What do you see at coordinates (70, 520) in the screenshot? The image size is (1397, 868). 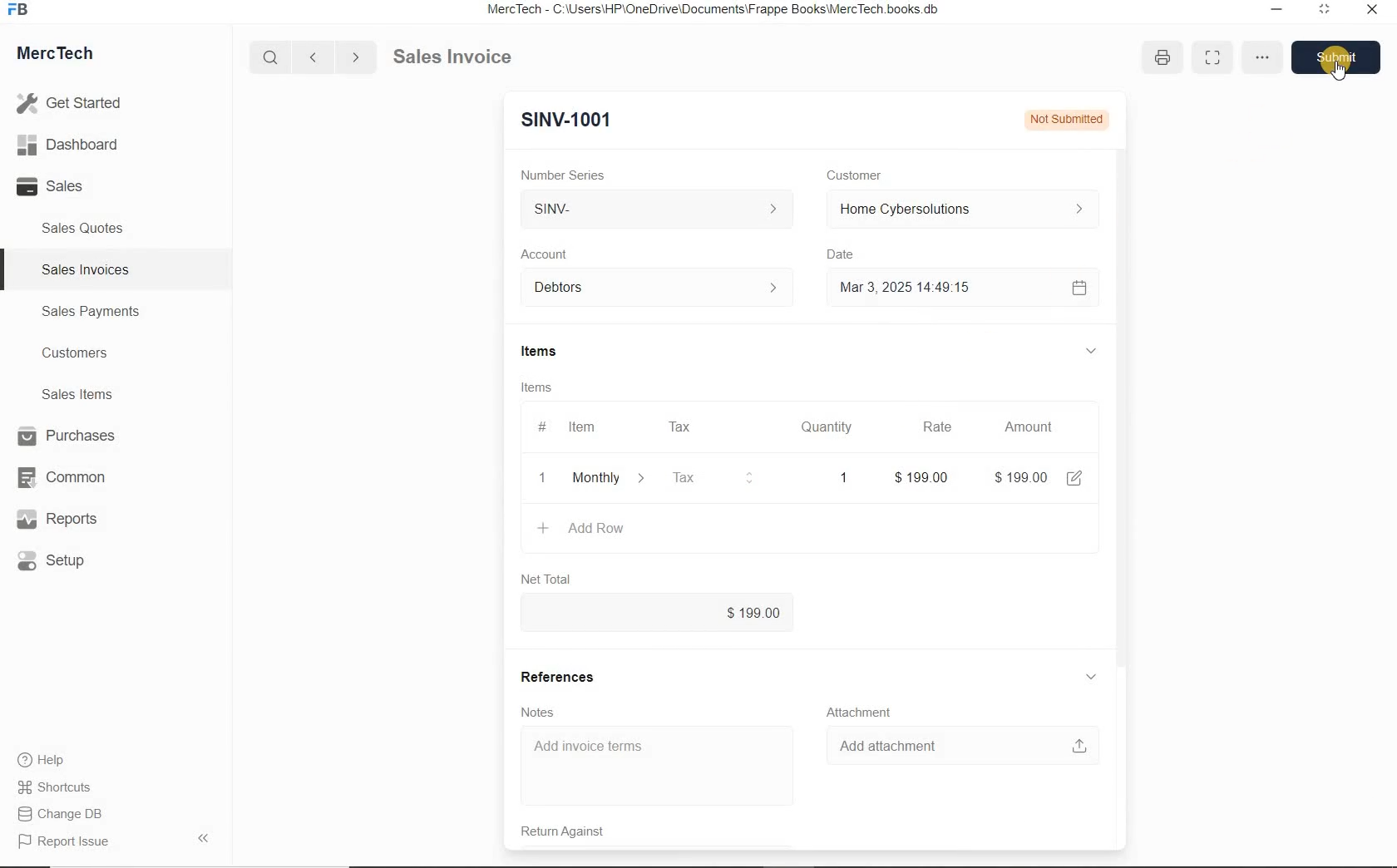 I see `Reports` at bounding box center [70, 520].